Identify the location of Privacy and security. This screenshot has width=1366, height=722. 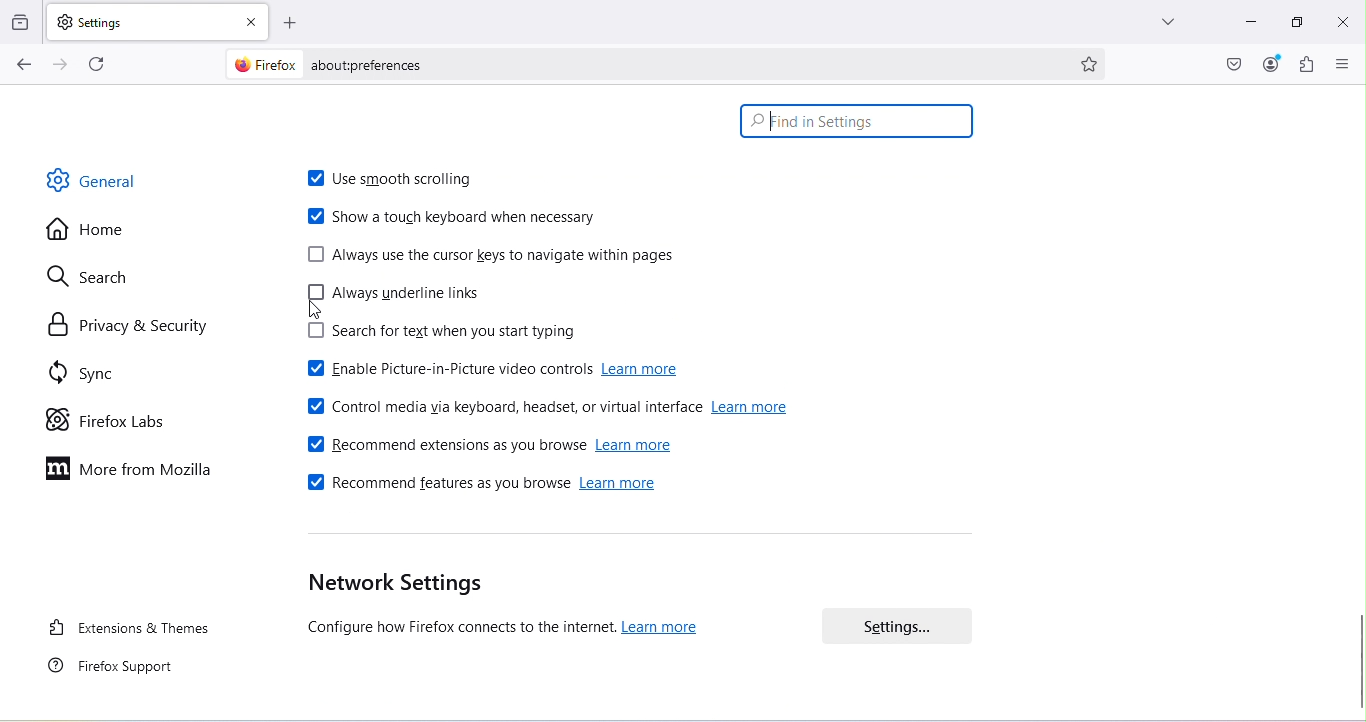
(127, 325).